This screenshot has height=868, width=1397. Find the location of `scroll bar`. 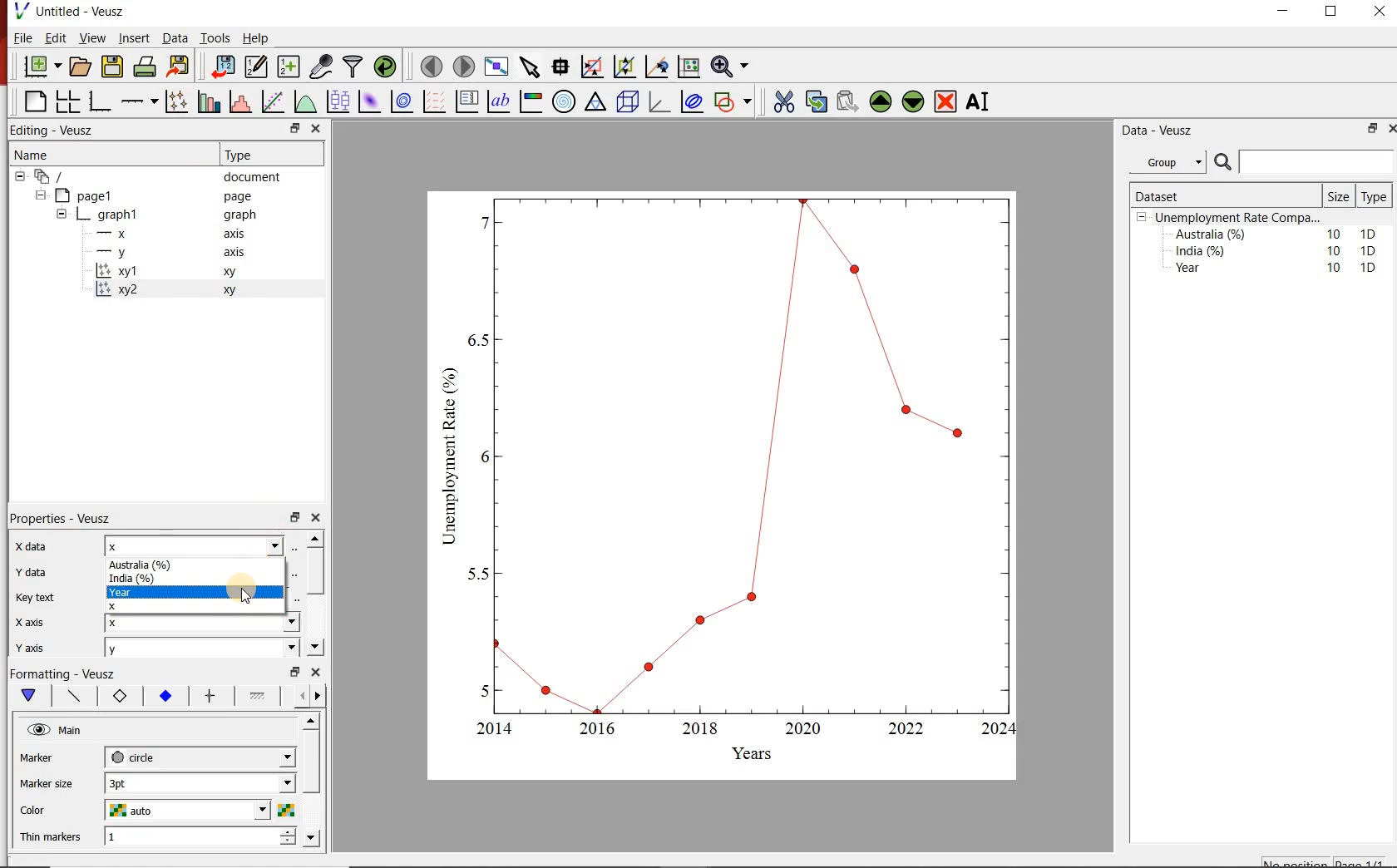

scroll bar is located at coordinates (314, 569).